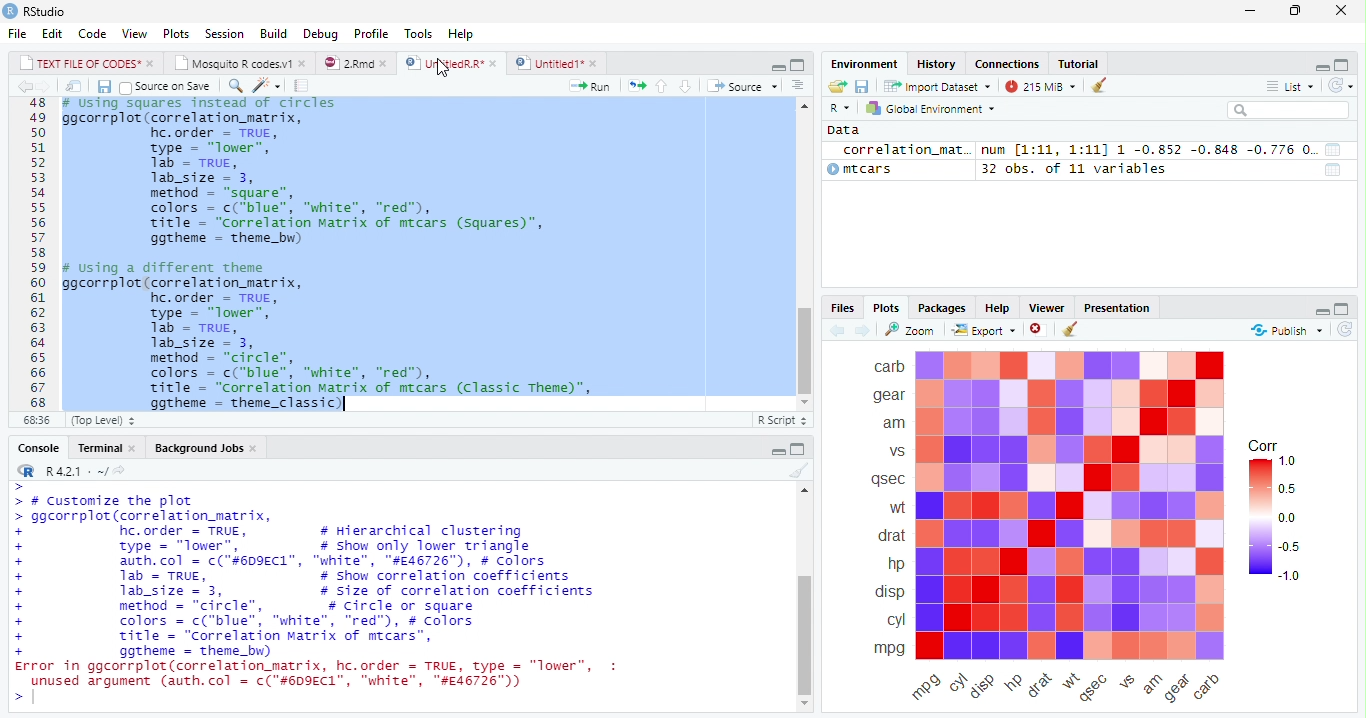 Image resolution: width=1366 pixels, height=718 pixels. Describe the element at coordinates (322, 34) in the screenshot. I see `Debug` at that location.